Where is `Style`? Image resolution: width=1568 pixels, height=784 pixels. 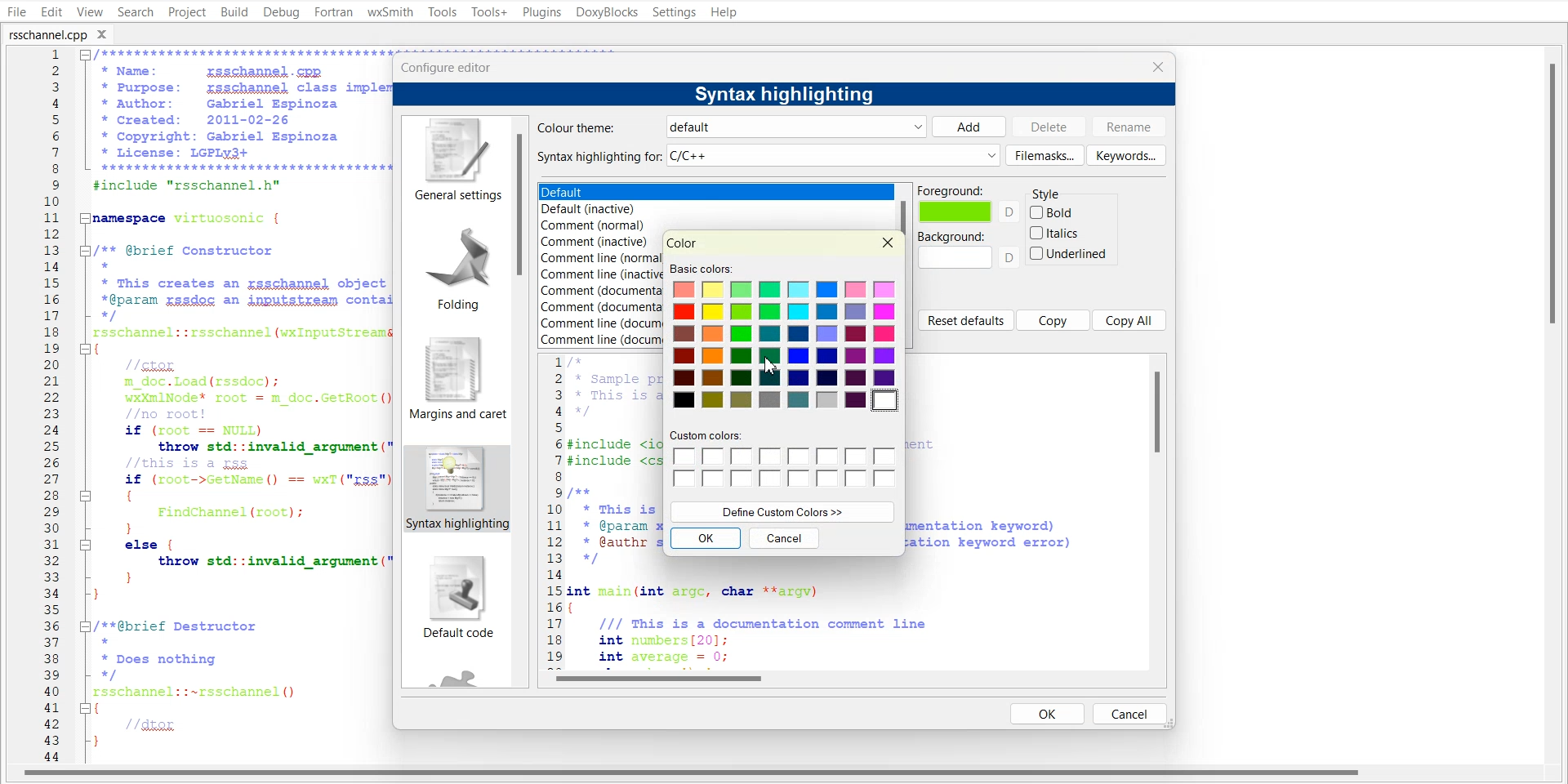
Style is located at coordinates (1055, 190).